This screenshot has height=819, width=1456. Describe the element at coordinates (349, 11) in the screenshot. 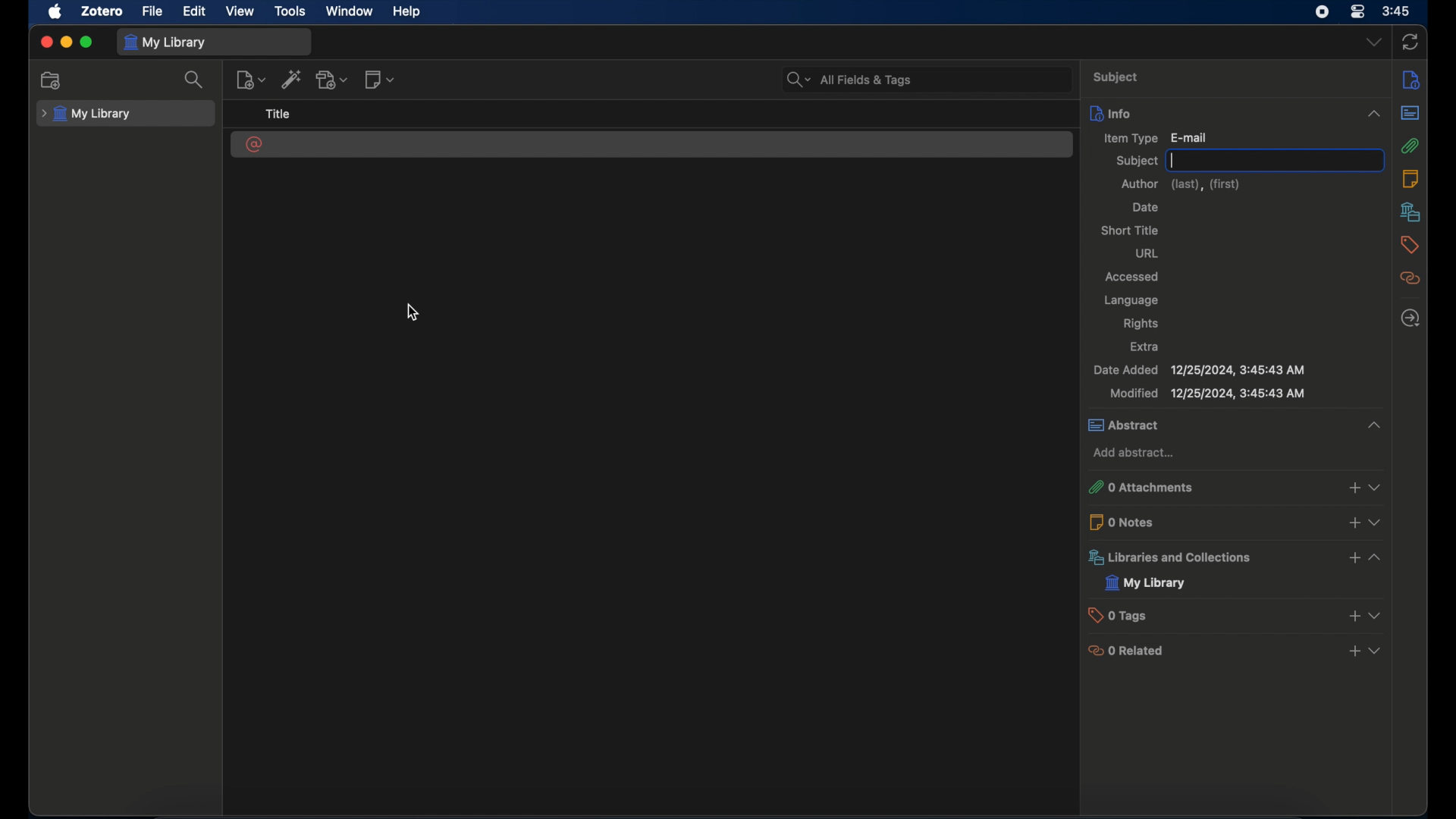

I see `window` at that location.